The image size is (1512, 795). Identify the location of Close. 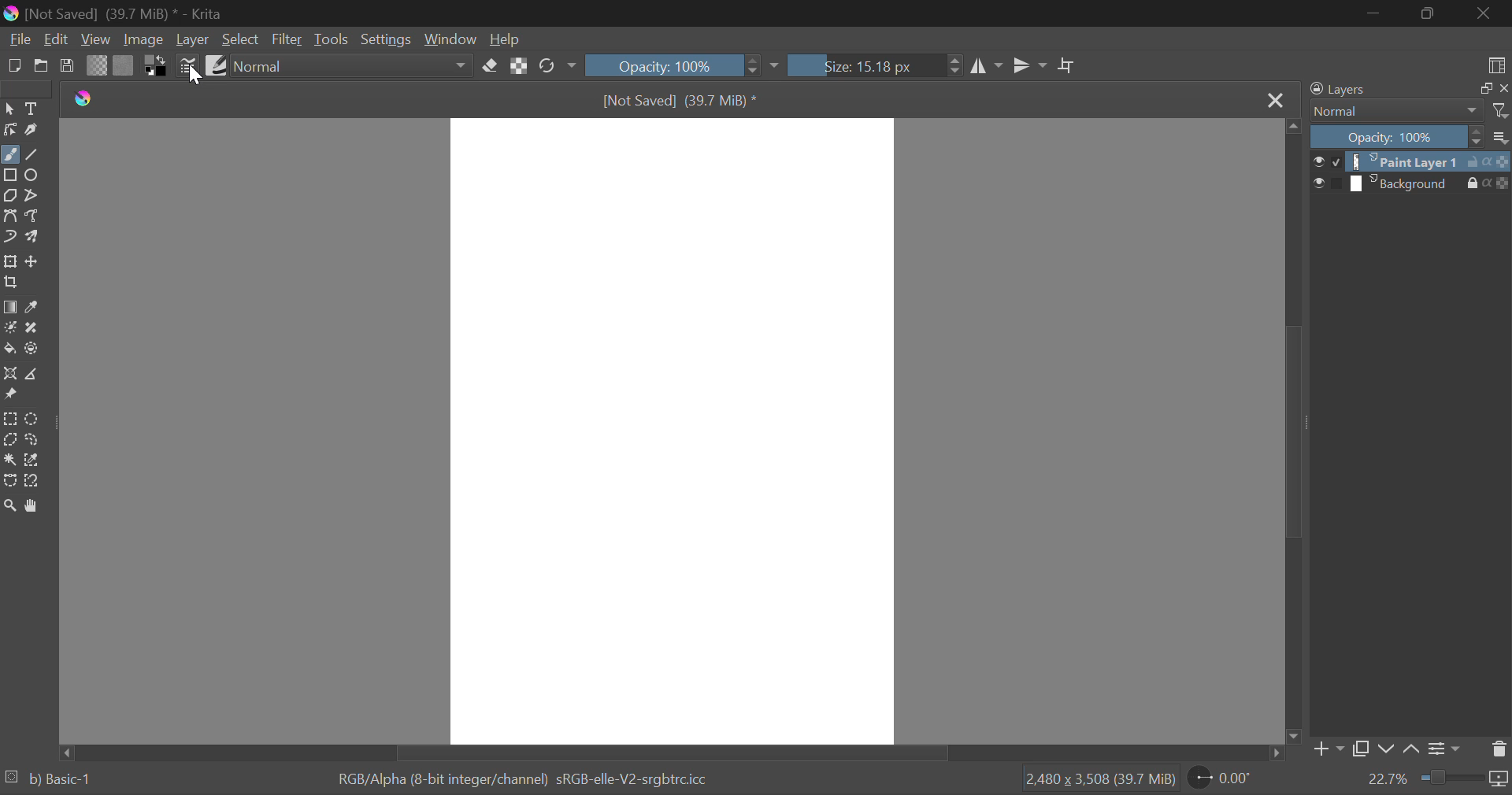
(1484, 13).